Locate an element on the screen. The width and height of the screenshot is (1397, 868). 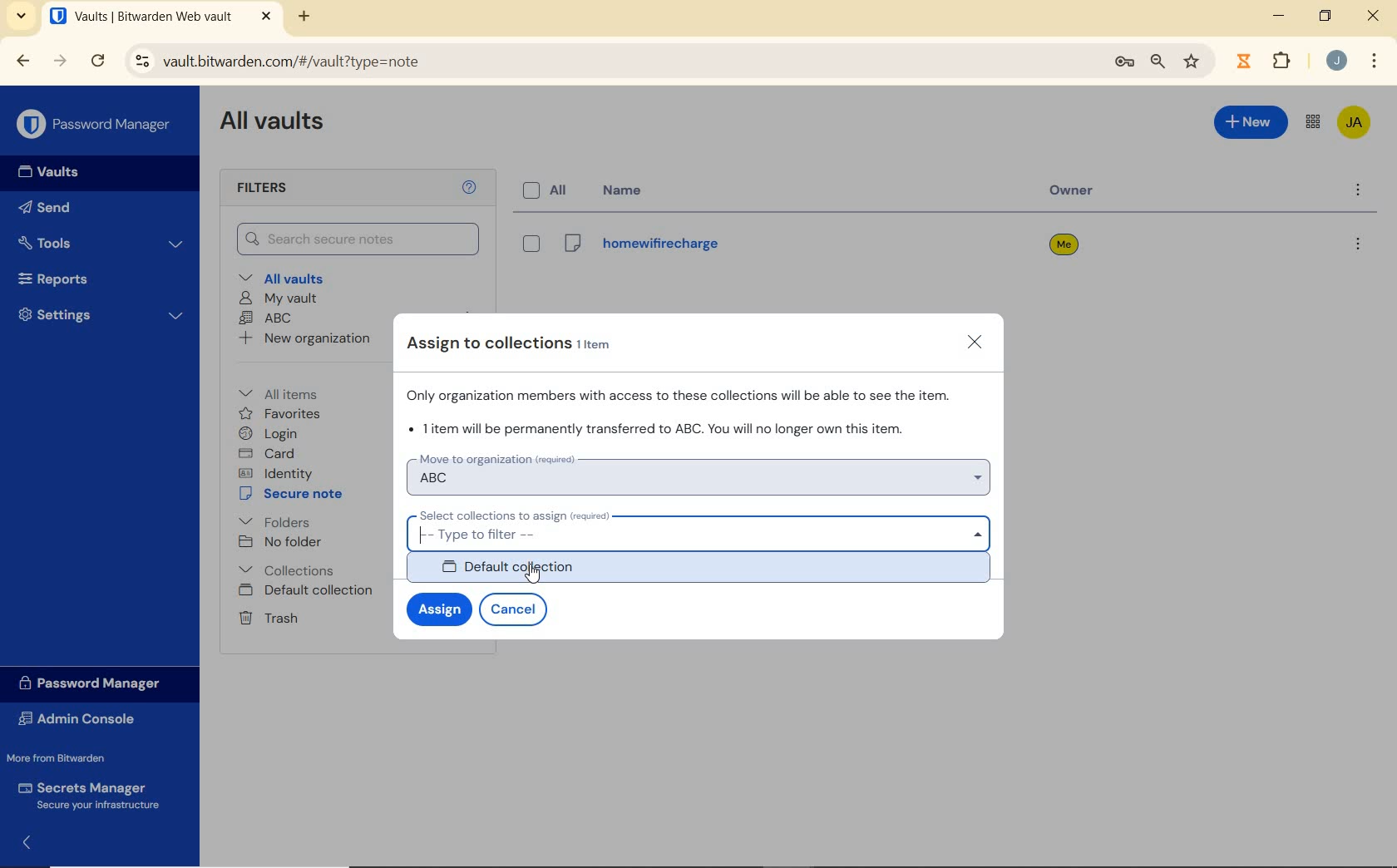
minimize is located at coordinates (1279, 15).